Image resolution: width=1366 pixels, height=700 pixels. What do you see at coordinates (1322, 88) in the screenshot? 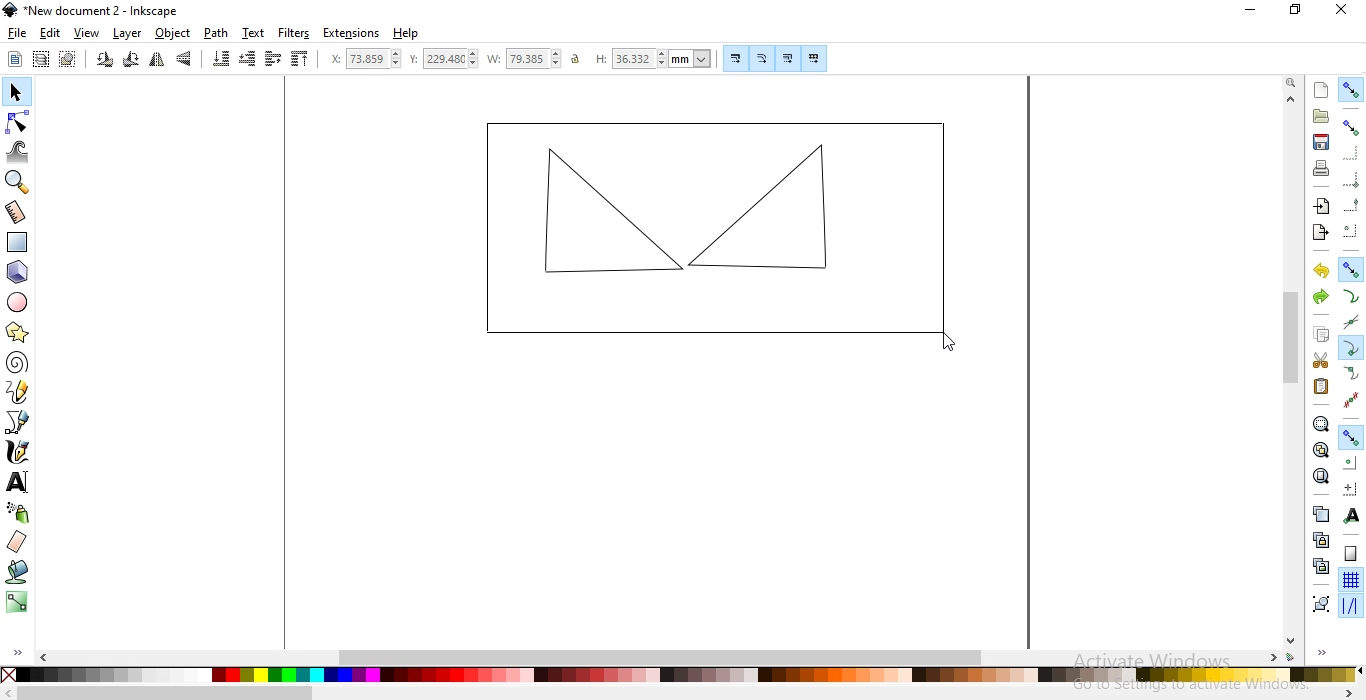
I see `create new document from default template` at bounding box center [1322, 88].